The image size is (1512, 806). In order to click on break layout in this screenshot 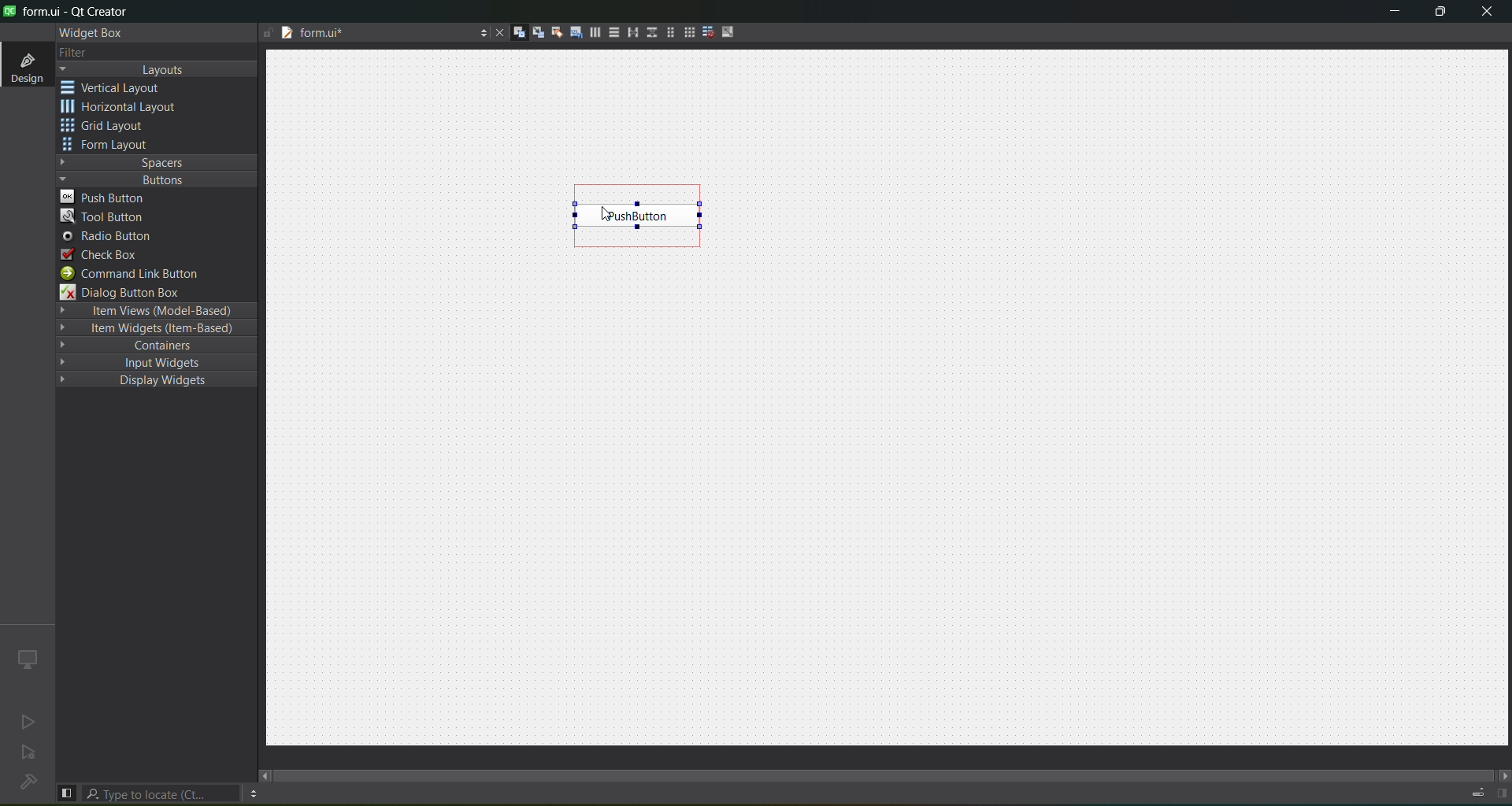, I will do `click(708, 31)`.